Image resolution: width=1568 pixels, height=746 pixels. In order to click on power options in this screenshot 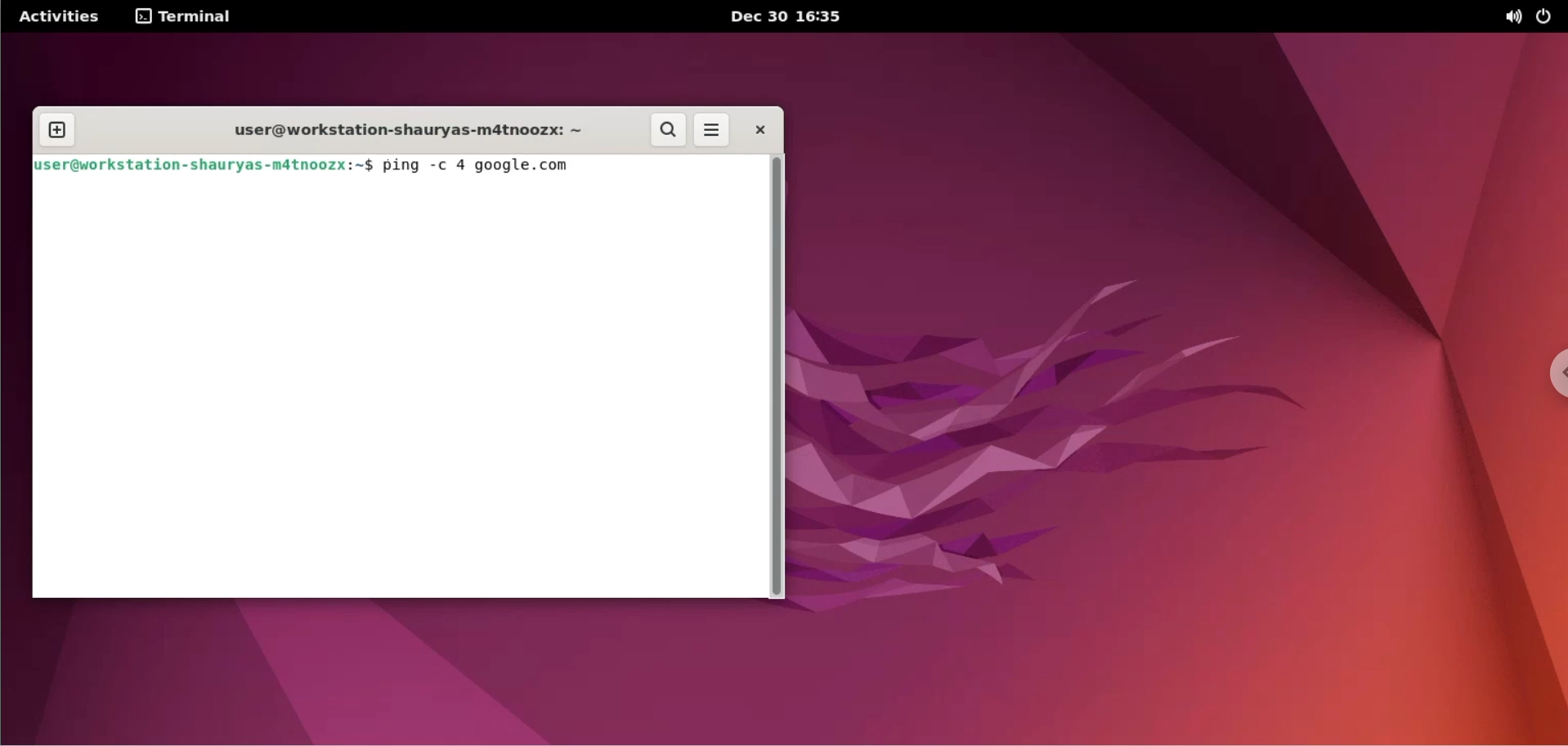, I will do `click(1548, 17)`.